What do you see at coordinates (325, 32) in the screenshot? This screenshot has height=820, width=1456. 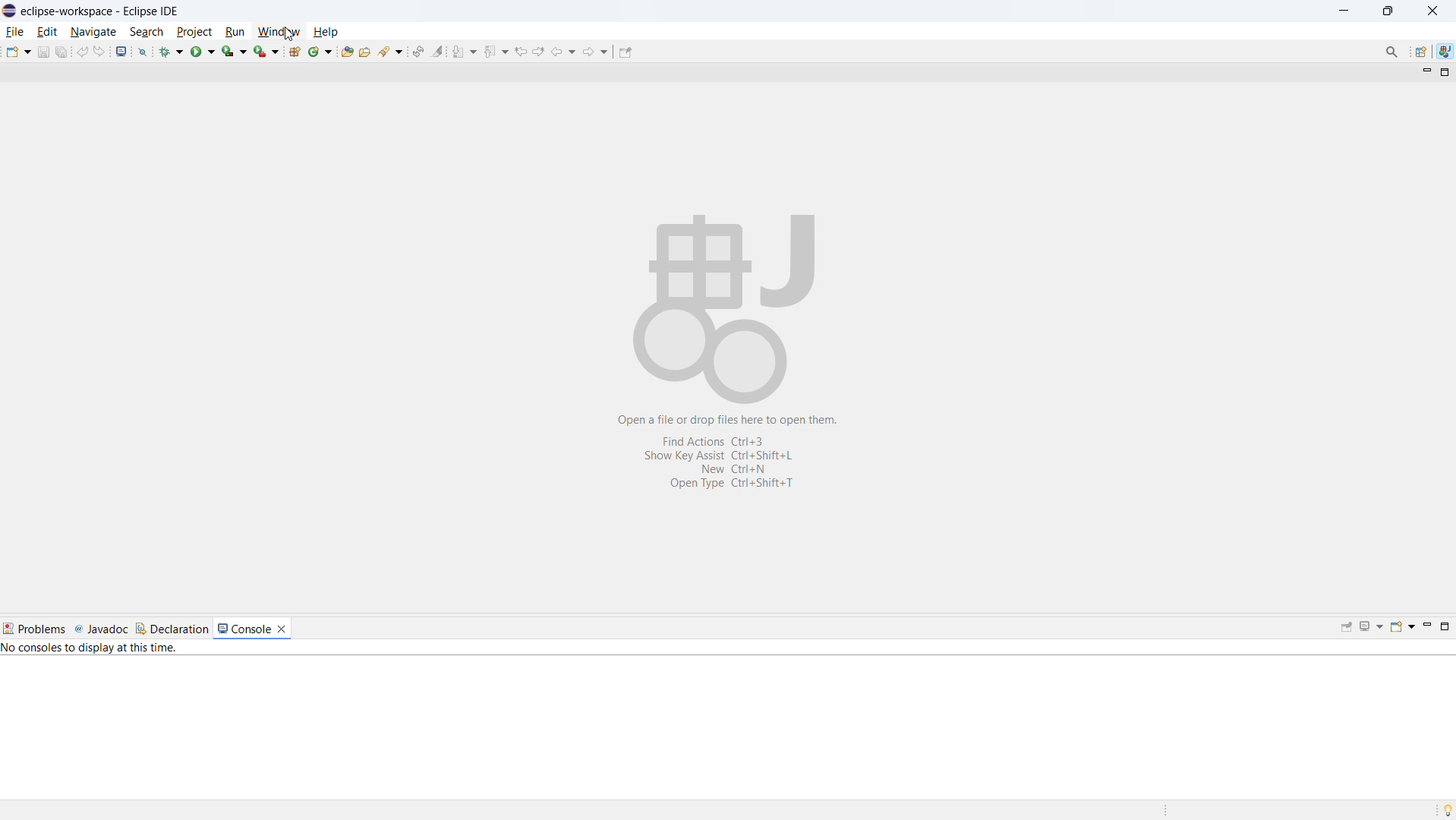 I see `help` at bounding box center [325, 32].